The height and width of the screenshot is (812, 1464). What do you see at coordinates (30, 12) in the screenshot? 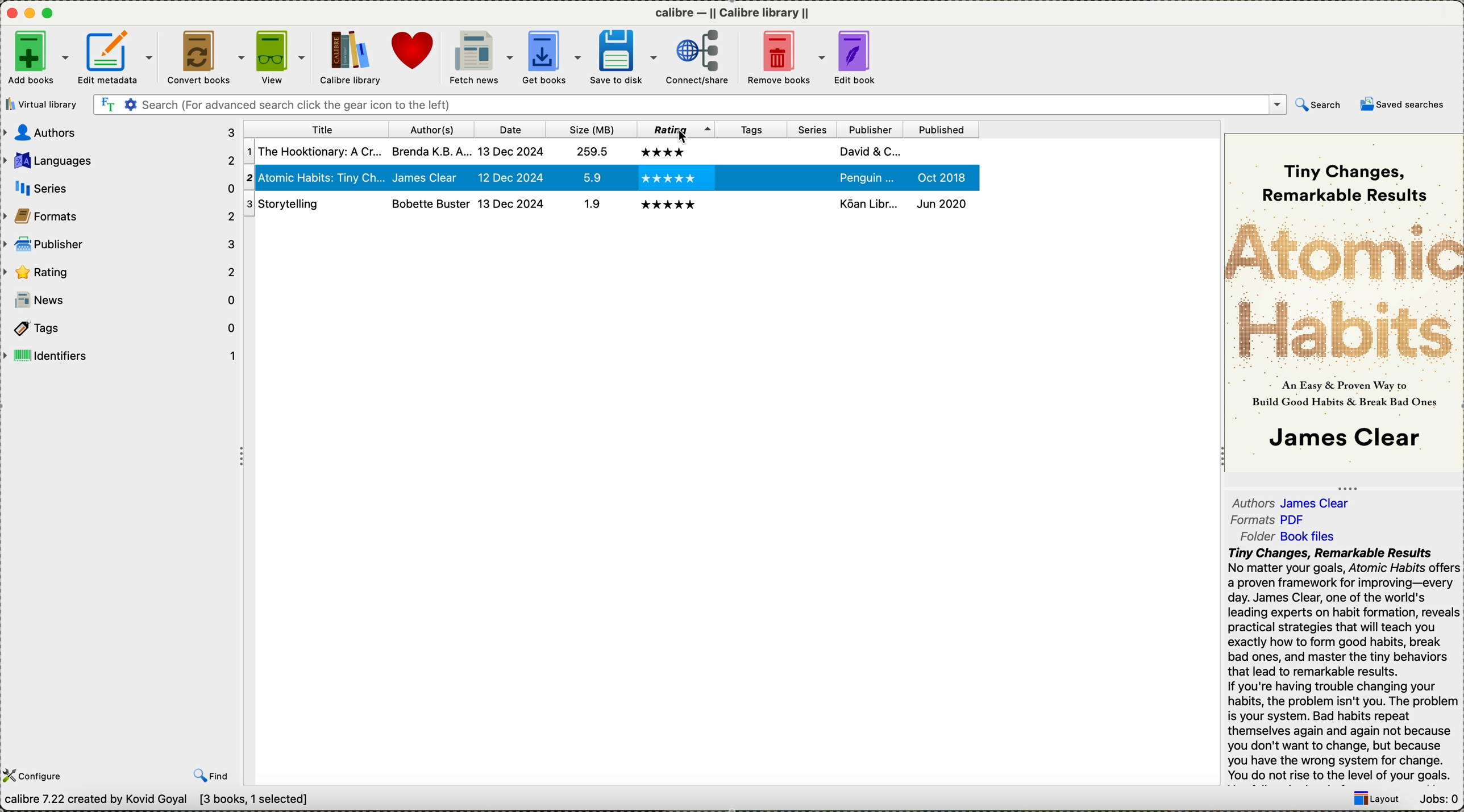
I see `minimize` at bounding box center [30, 12].